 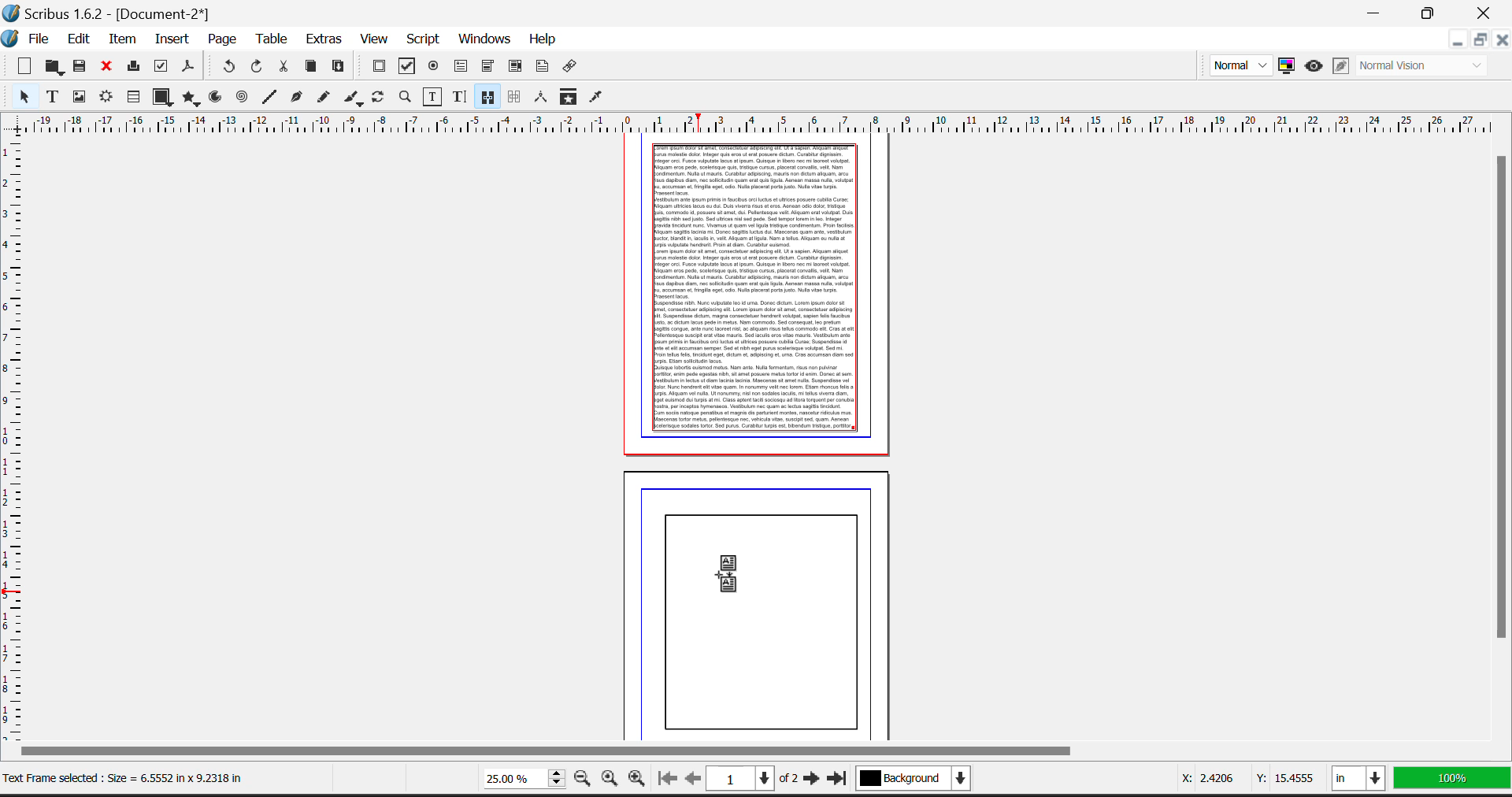 I want to click on Freehand, so click(x=323, y=99).